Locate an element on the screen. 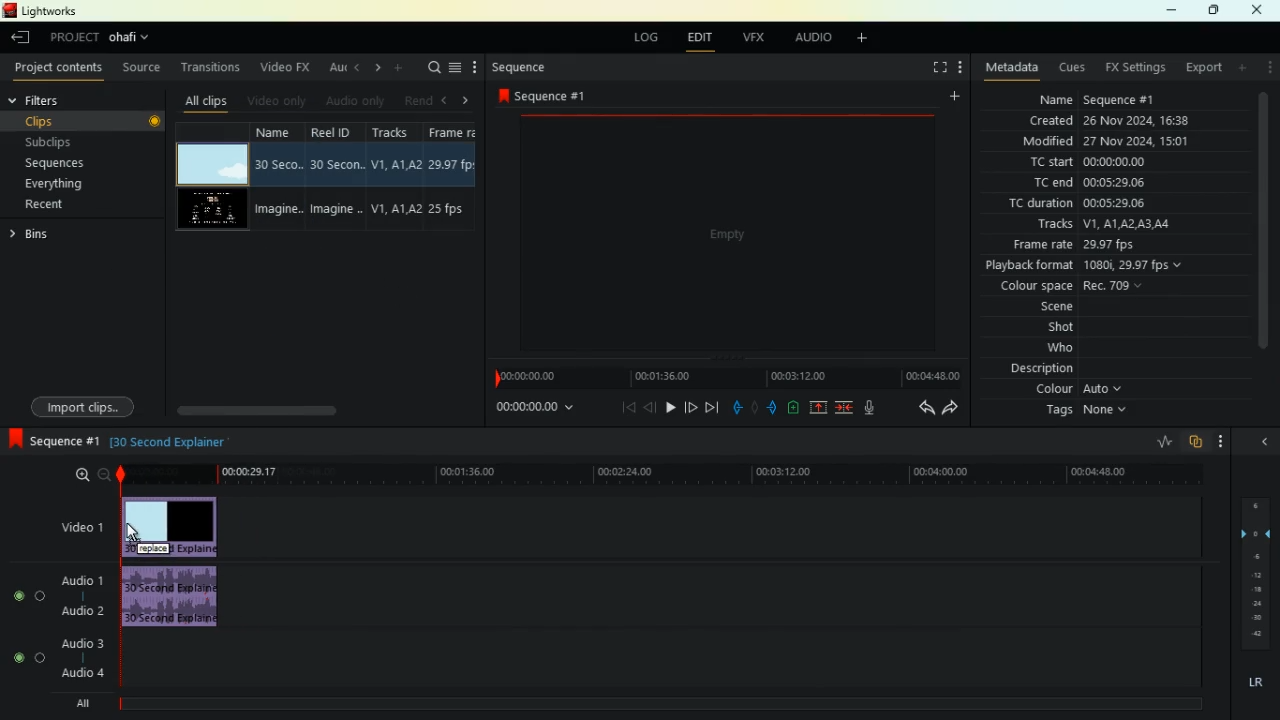 This screenshot has width=1280, height=720. timeline is located at coordinates (650, 704).